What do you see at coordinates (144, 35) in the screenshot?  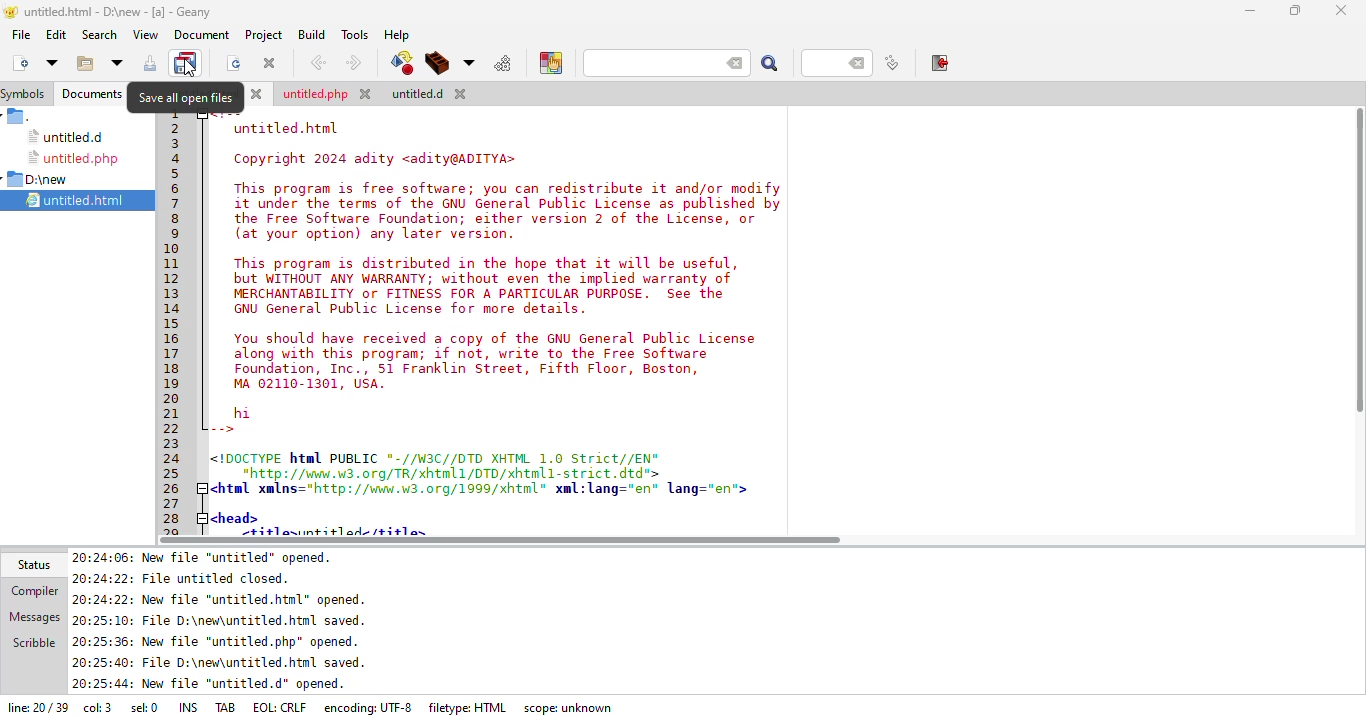 I see `view` at bounding box center [144, 35].